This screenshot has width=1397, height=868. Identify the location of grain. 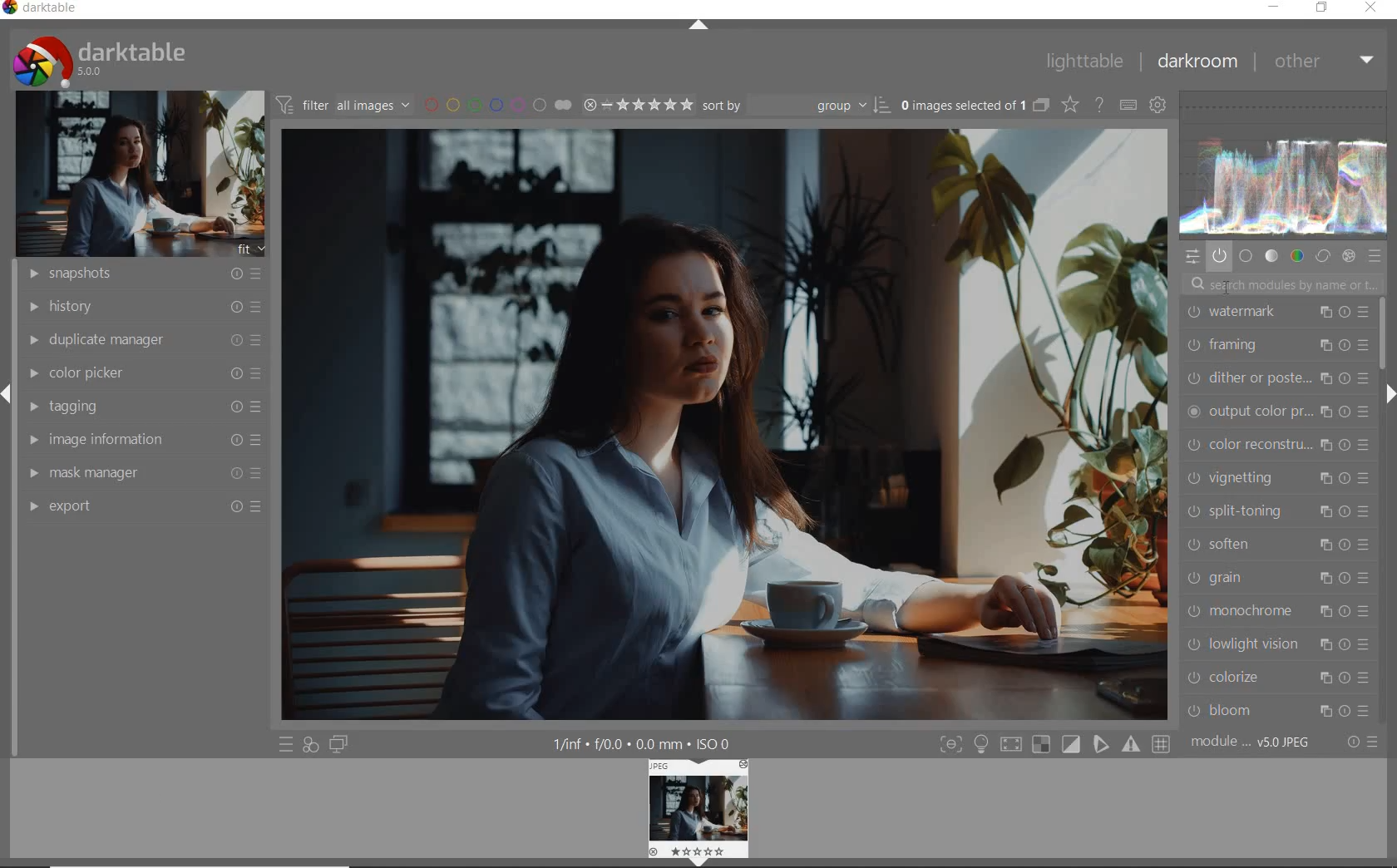
(1276, 578).